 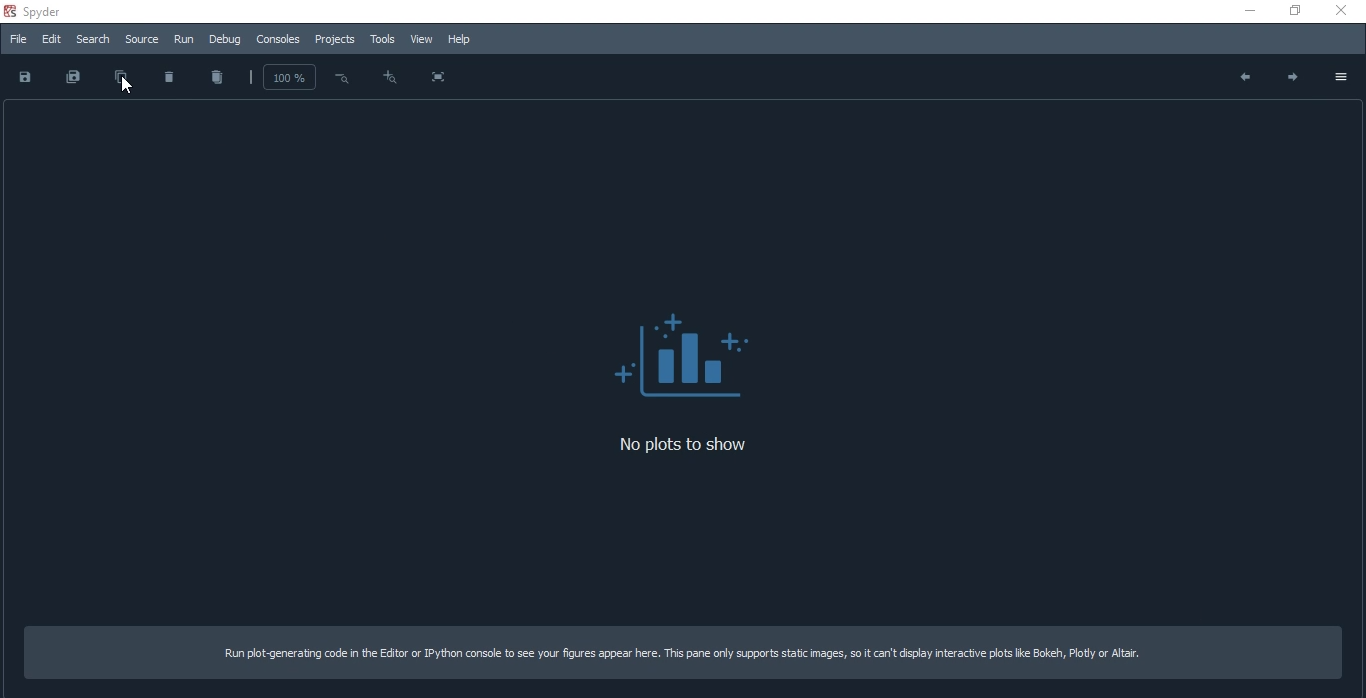 I want to click on restore, so click(x=1291, y=11).